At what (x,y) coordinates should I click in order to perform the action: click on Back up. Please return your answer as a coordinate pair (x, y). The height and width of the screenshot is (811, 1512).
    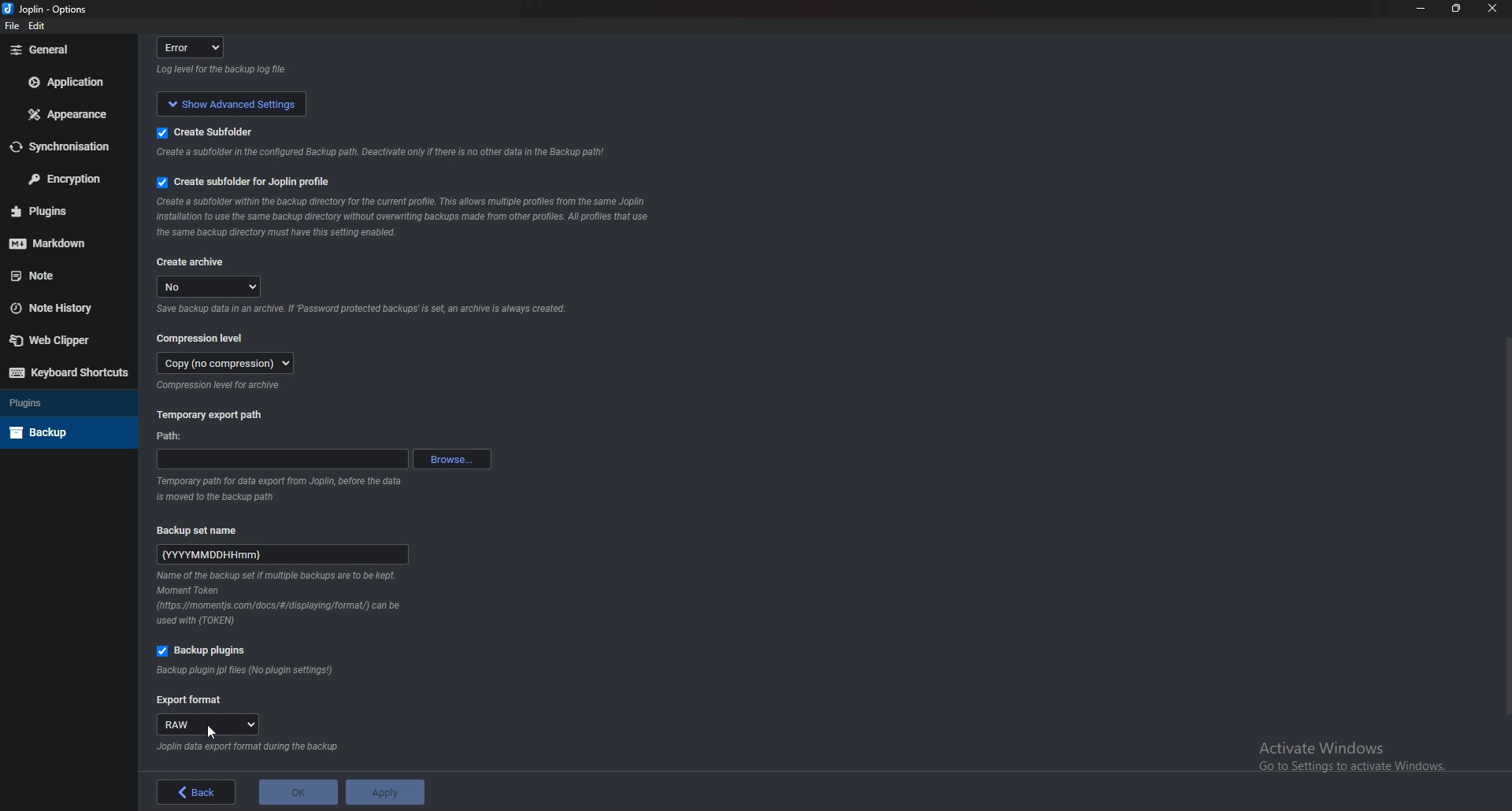
    Looking at the image, I should click on (64, 432).